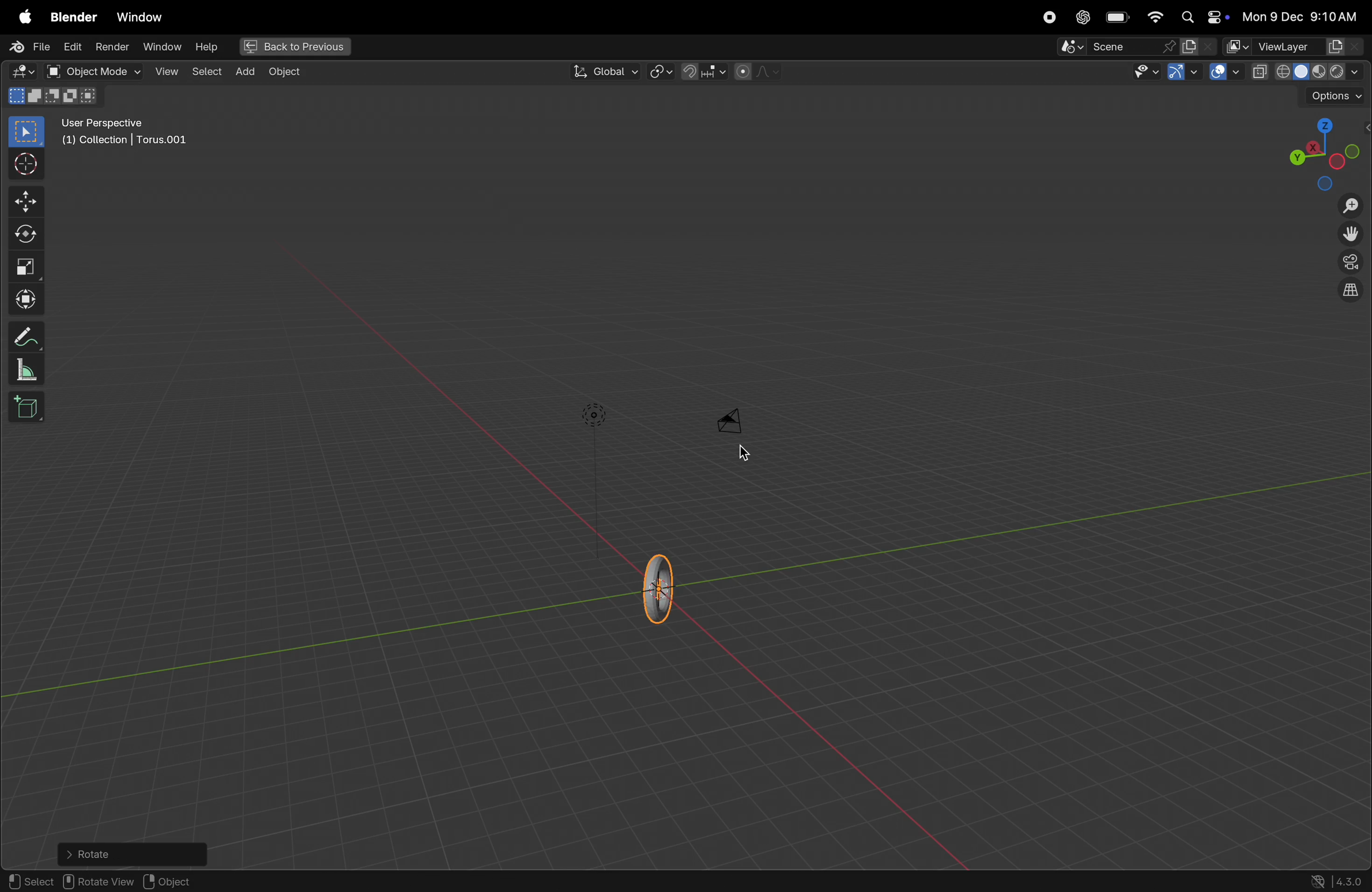  Describe the element at coordinates (27, 132) in the screenshot. I see `select` at that location.